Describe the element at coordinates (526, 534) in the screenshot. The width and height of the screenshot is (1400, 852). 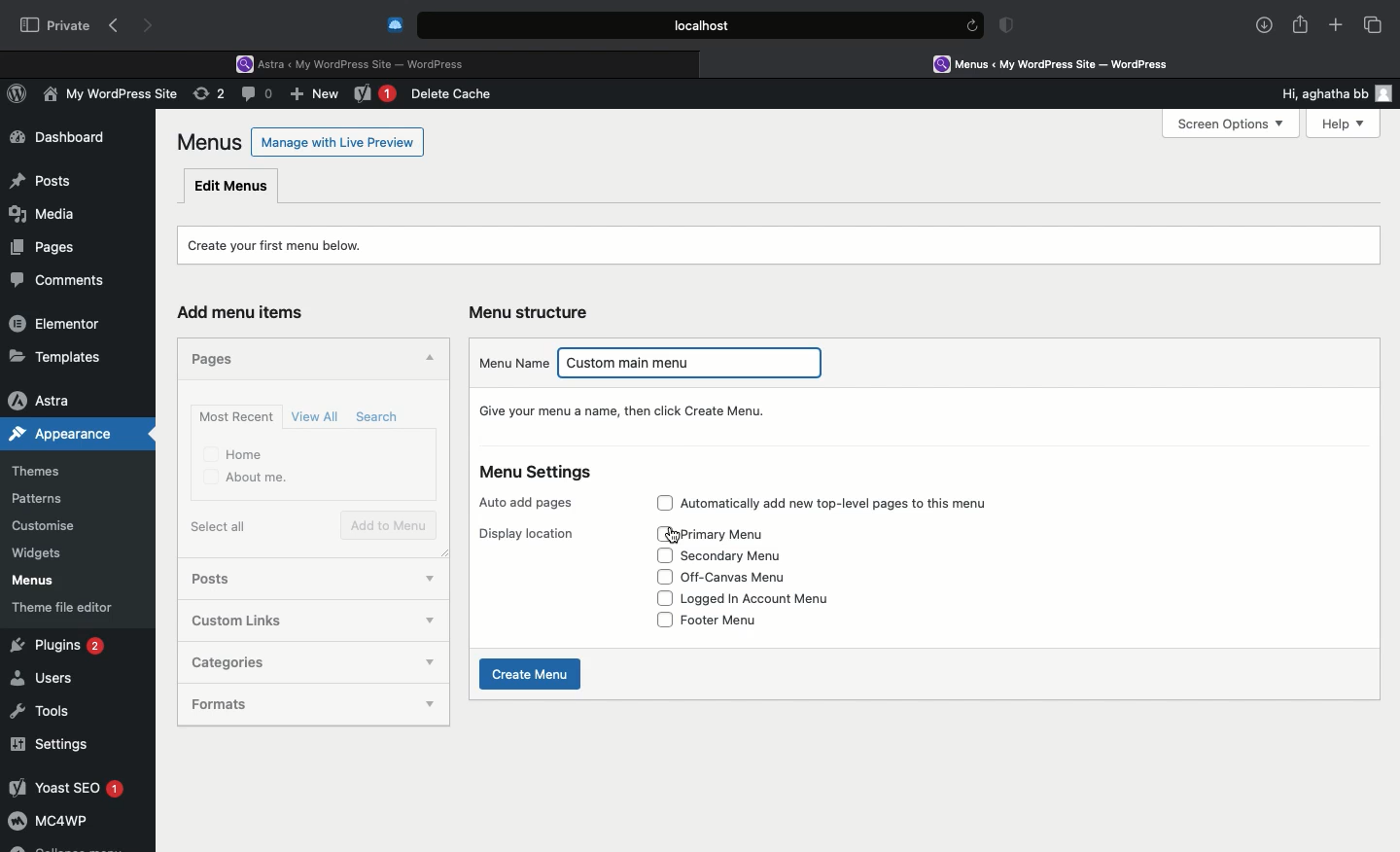
I see `Display location` at that location.